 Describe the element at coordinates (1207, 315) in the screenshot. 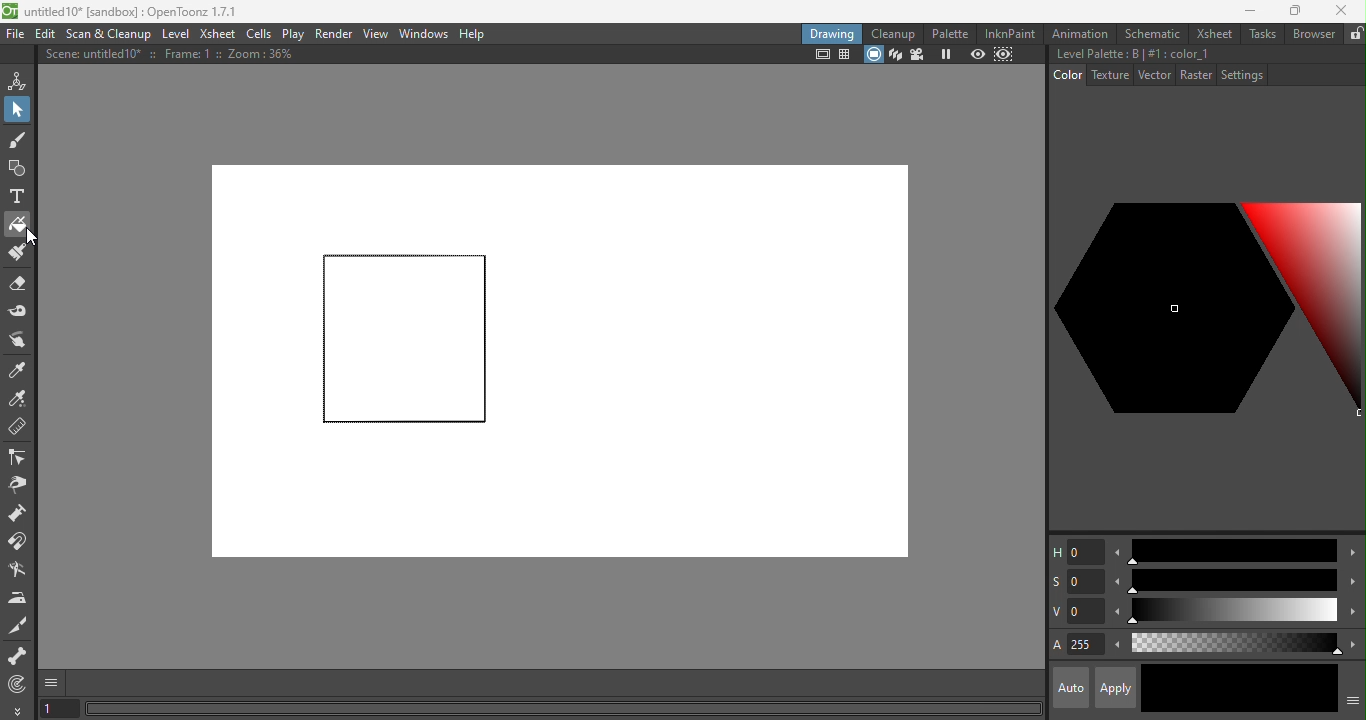

I see `color palettes` at that location.